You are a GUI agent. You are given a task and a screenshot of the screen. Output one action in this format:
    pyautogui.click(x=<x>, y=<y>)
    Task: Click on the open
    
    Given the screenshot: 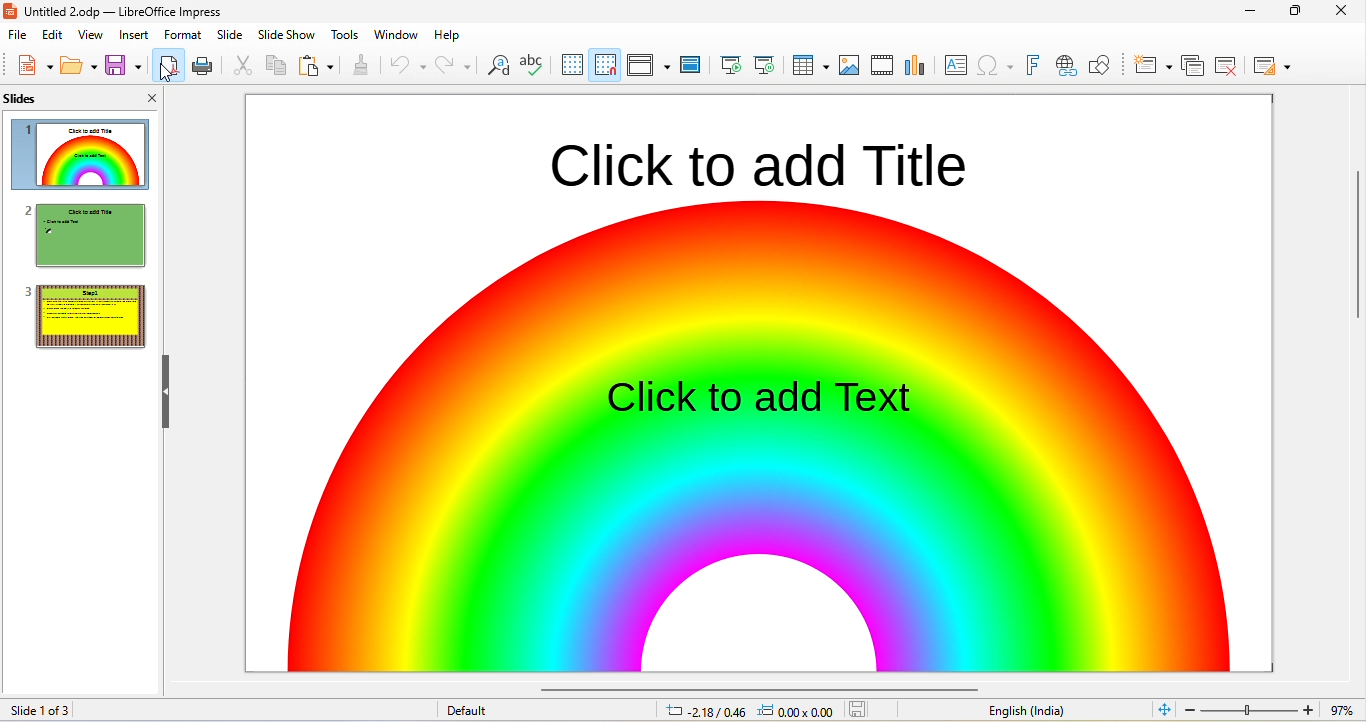 What is the action you would take?
    pyautogui.click(x=79, y=64)
    